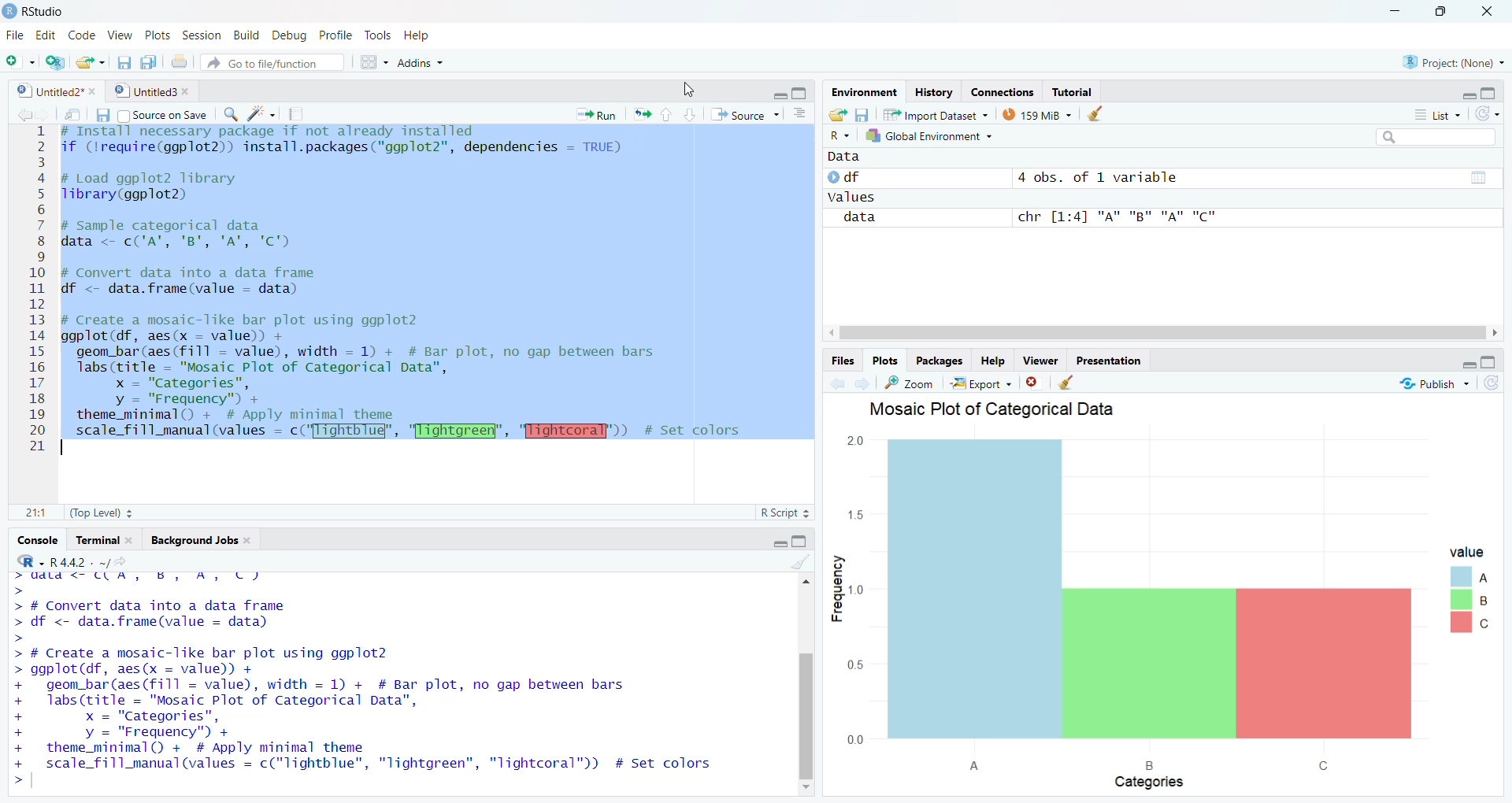 Image resolution: width=1512 pixels, height=803 pixels. I want to click on R Script, so click(784, 513).